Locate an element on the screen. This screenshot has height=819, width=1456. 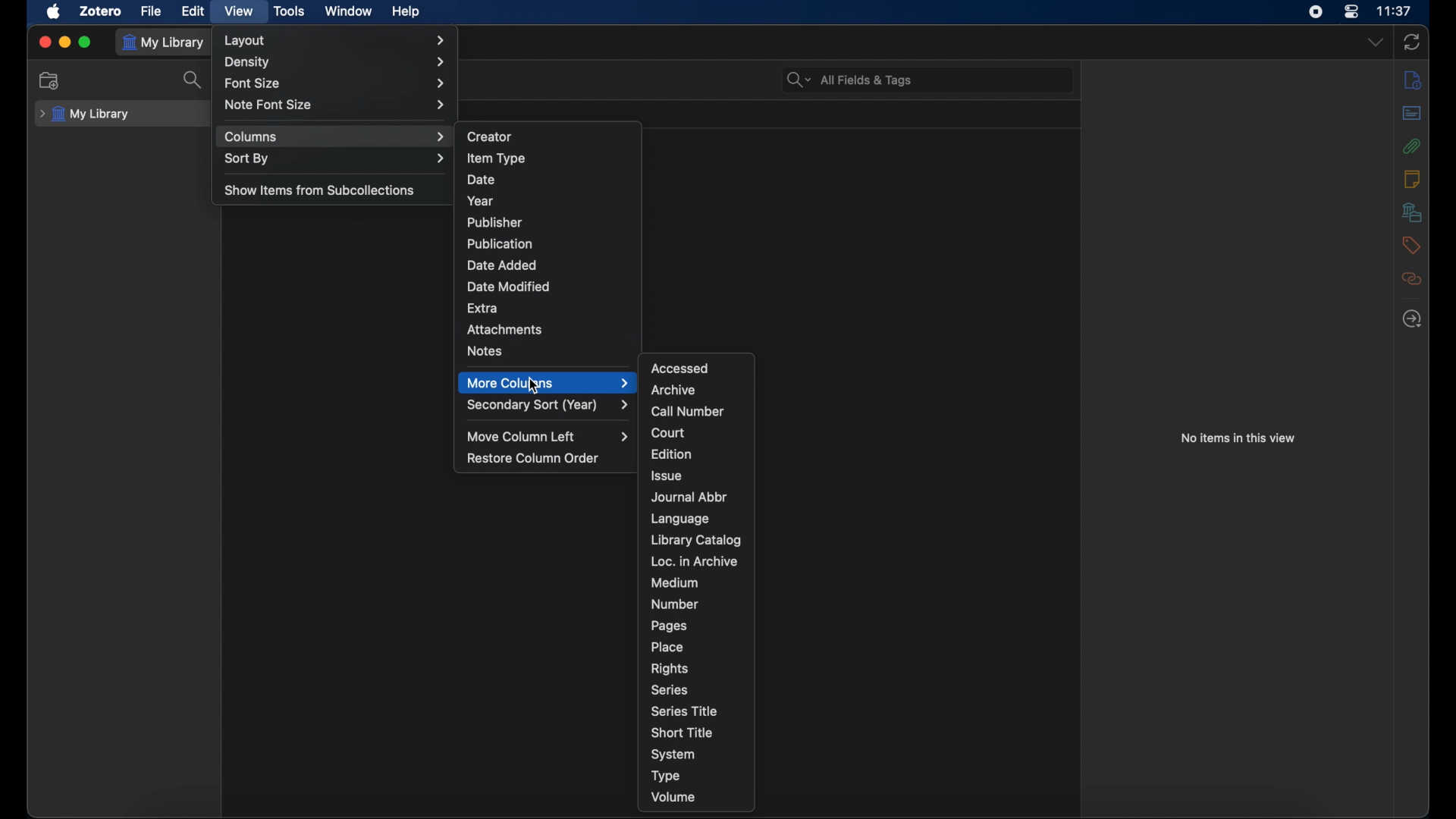
search is located at coordinates (196, 80).